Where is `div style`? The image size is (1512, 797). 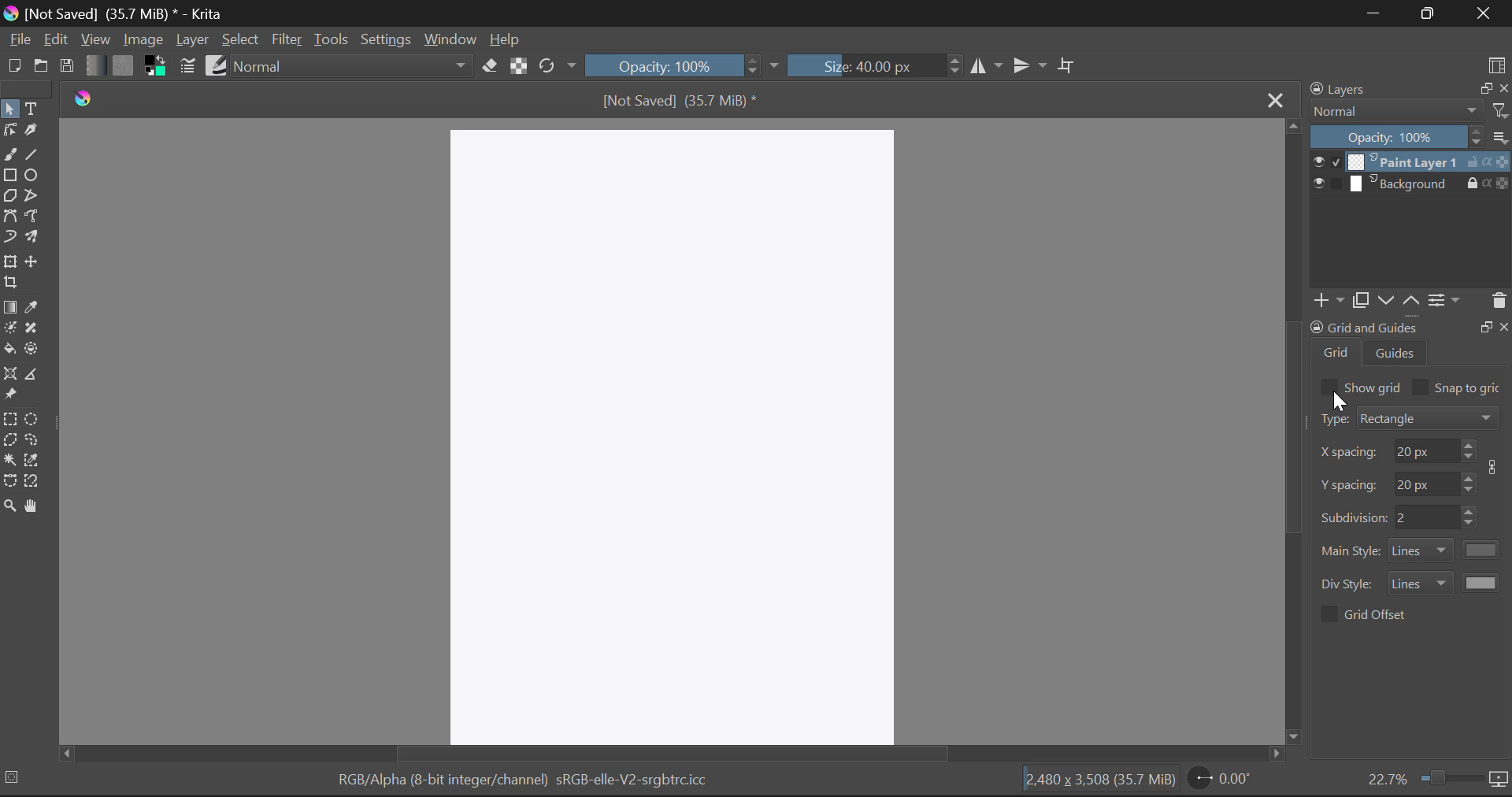 div style is located at coordinates (1349, 584).